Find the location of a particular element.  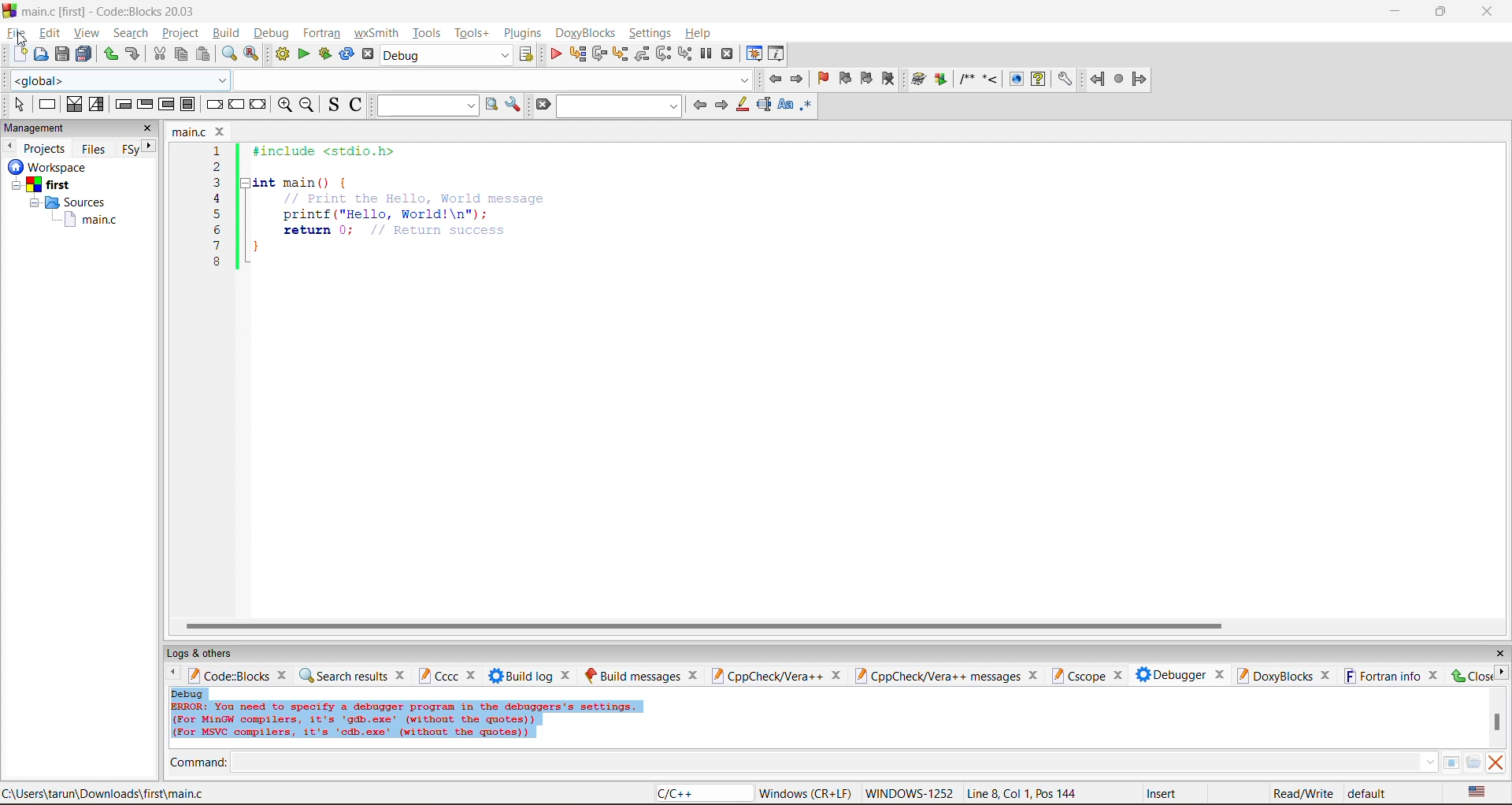

doxyblocks is located at coordinates (1273, 675).